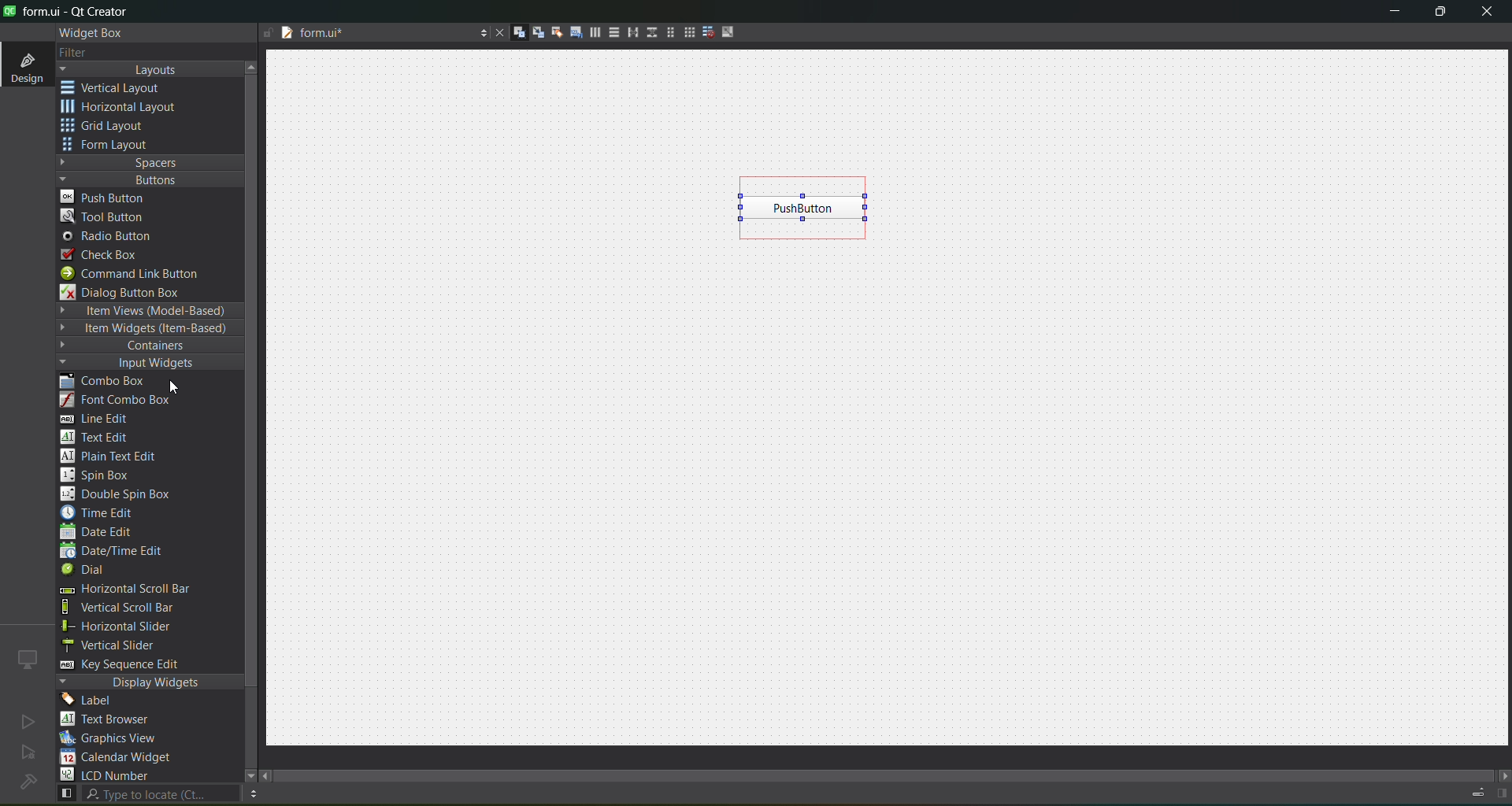 The height and width of the screenshot is (806, 1512). I want to click on move down, so click(243, 774).